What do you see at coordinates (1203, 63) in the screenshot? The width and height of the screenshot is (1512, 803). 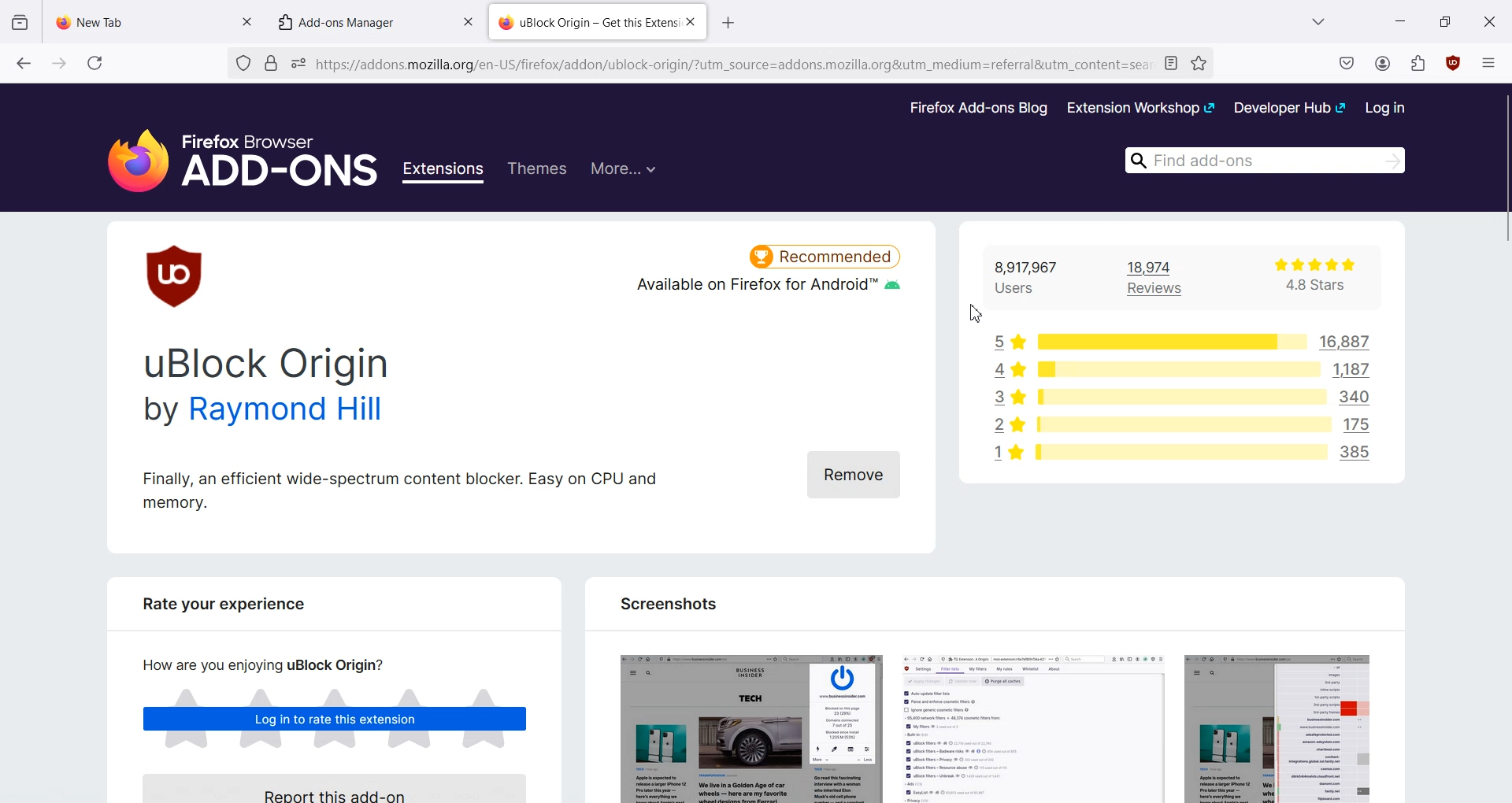 I see `Bookmark this page` at bounding box center [1203, 63].